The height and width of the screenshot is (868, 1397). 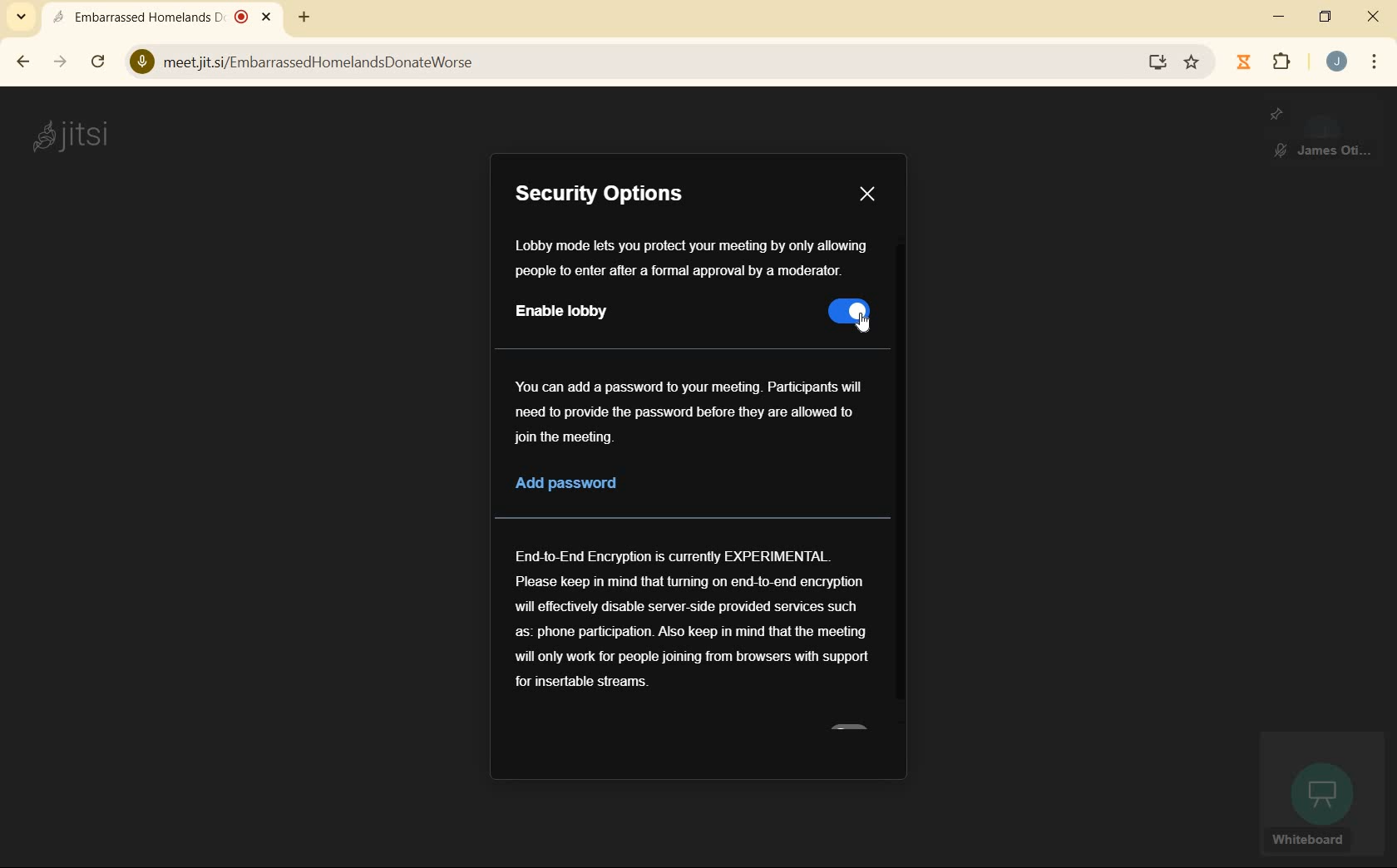 What do you see at coordinates (1325, 18) in the screenshot?
I see `restore down` at bounding box center [1325, 18].